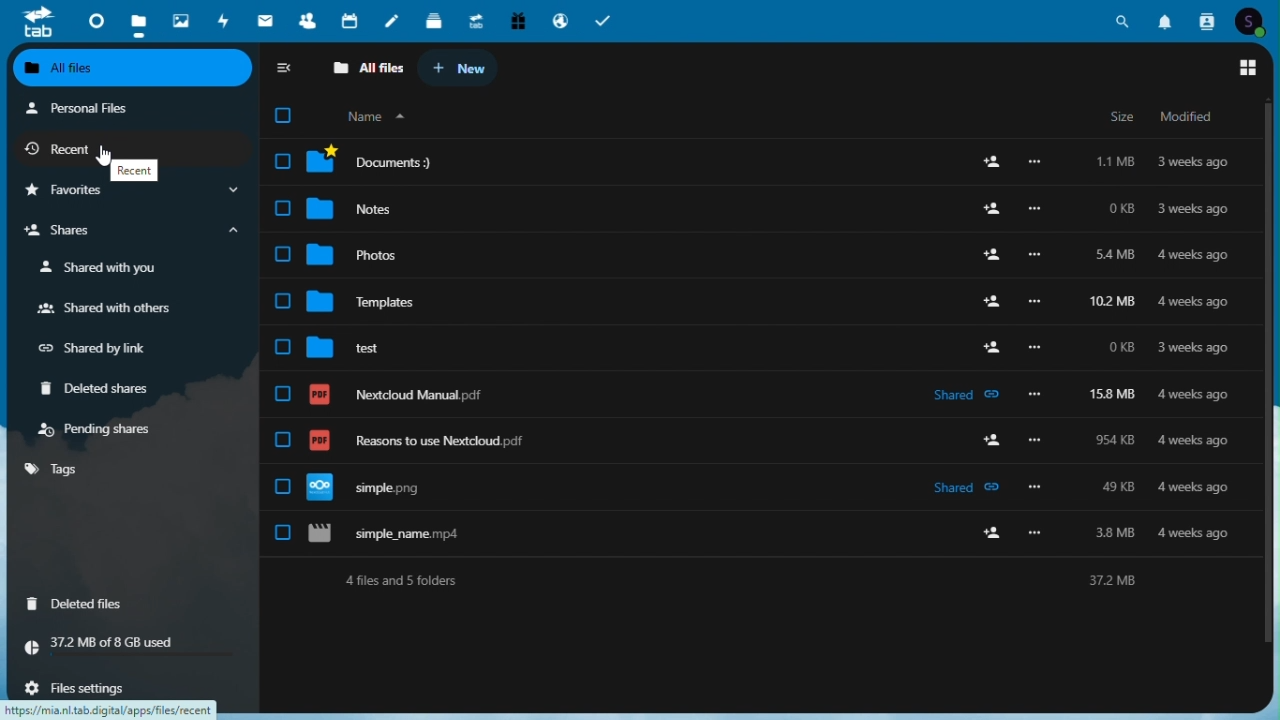 Image resolution: width=1280 pixels, height=720 pixels. I want to click on Dashboard, so click(94, 19).